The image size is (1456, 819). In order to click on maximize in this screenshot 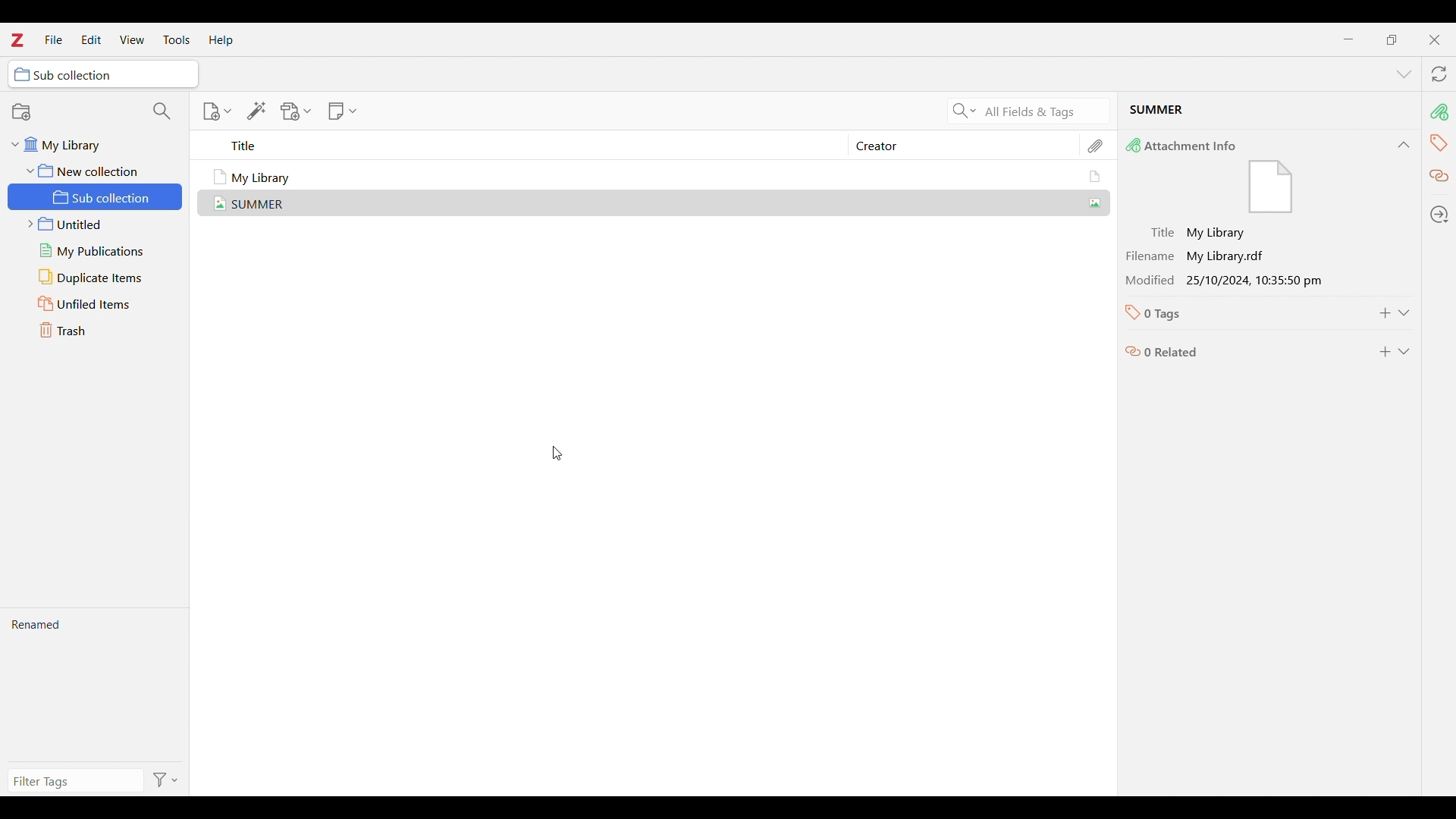, I will do `click(1392, 39)`.